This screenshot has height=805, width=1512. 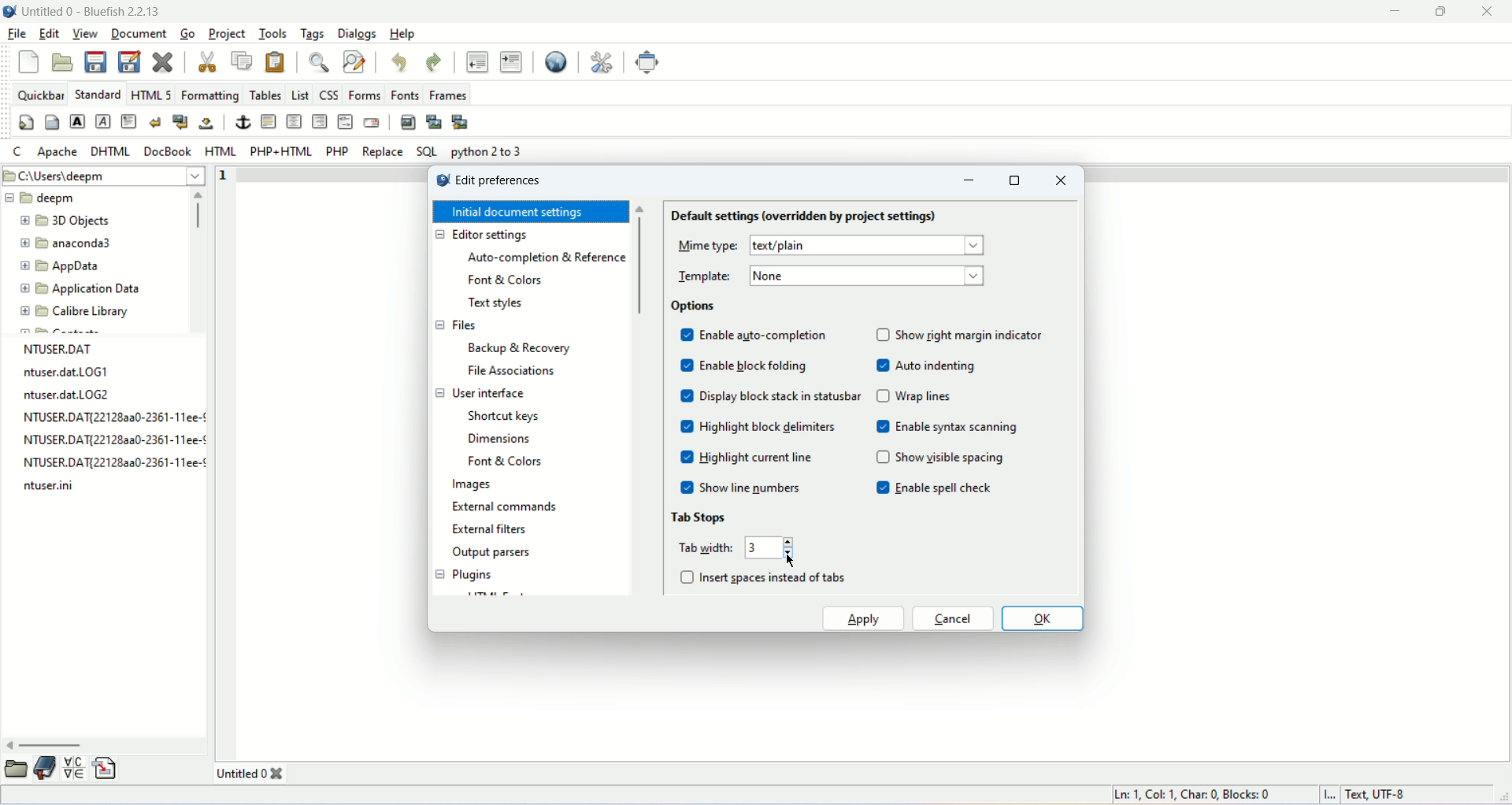 What do you see at coordinates (427, 151) in the screenshot?
I see `SQL` at bounding box center [427, 151].